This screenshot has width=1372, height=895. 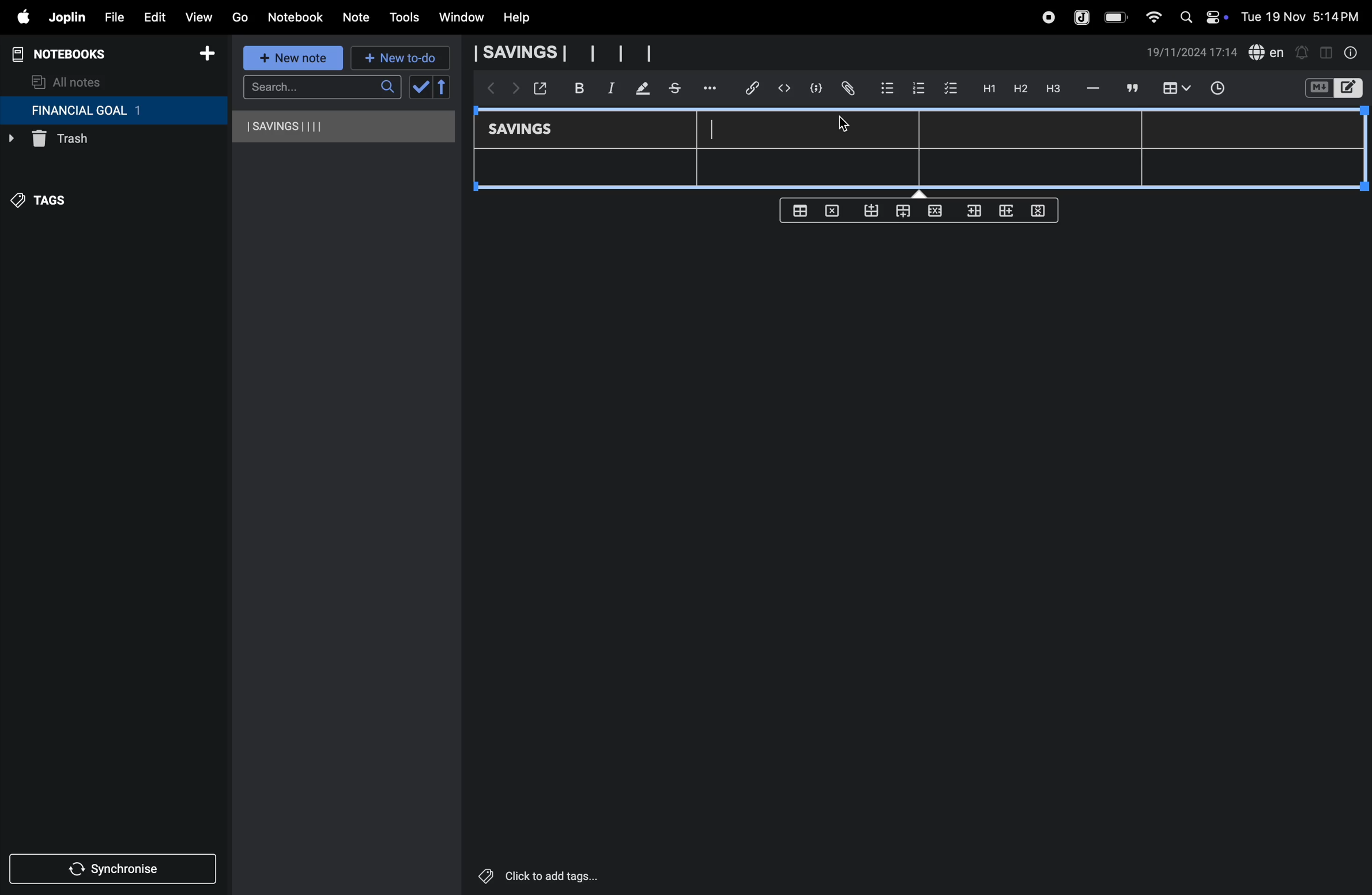 What do you see at coordinates (295, 17) in the screenshot?
I see `notebook` at bounding box center [295, 17].